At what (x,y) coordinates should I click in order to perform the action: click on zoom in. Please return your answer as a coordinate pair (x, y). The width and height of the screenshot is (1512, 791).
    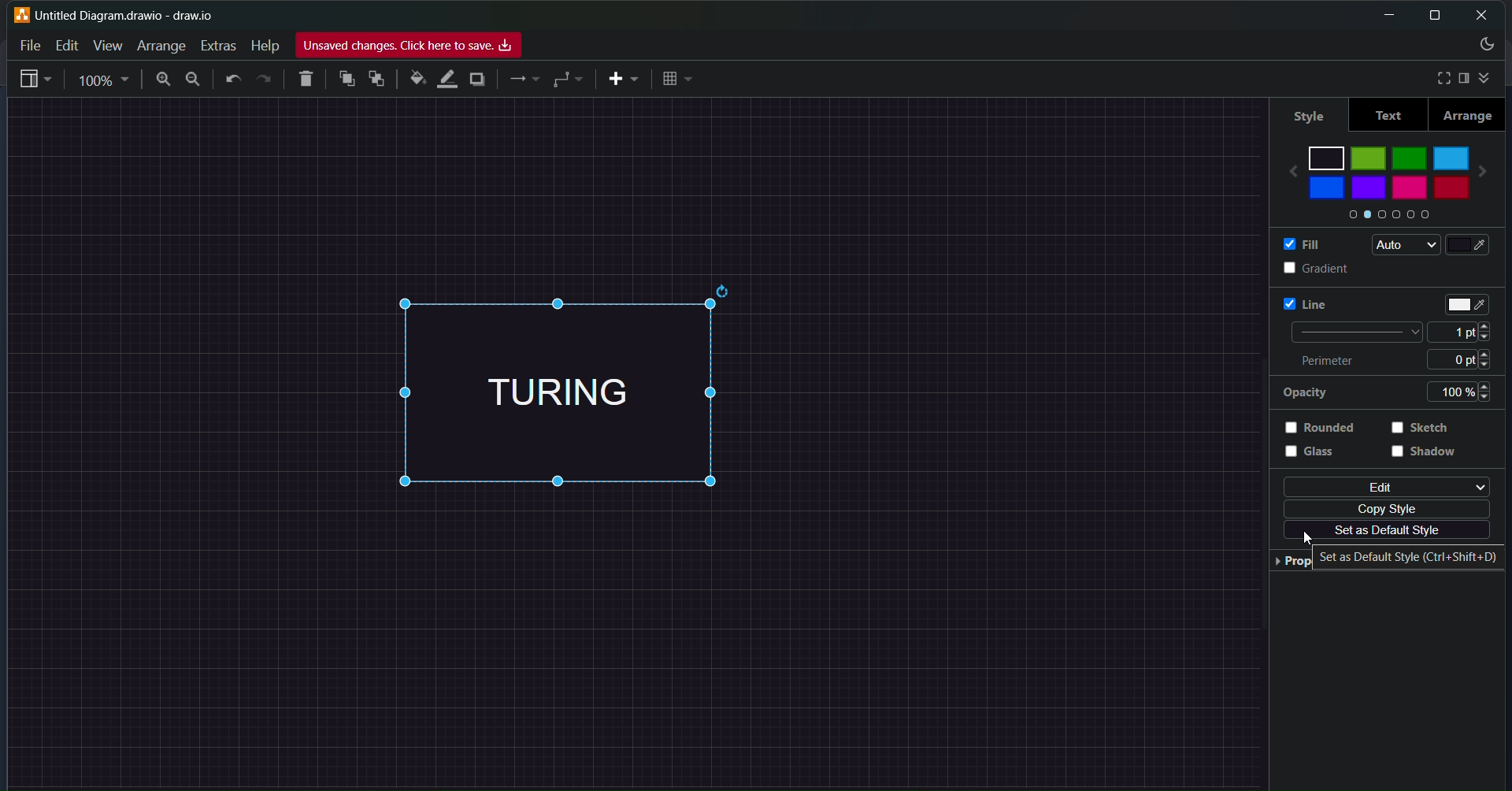
    Looking at the image, I should click on (161, 80).